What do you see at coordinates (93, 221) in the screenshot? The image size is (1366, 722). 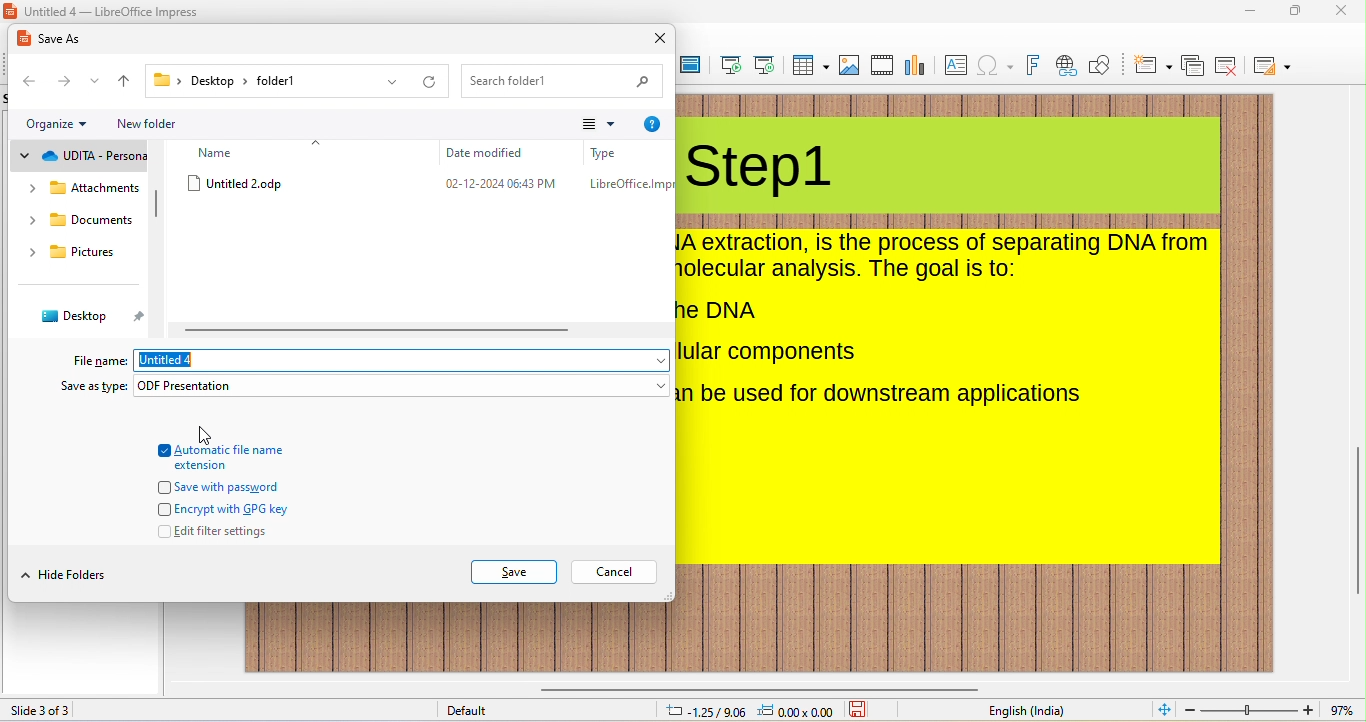 I see `documents` at bounding box center [93, 221].